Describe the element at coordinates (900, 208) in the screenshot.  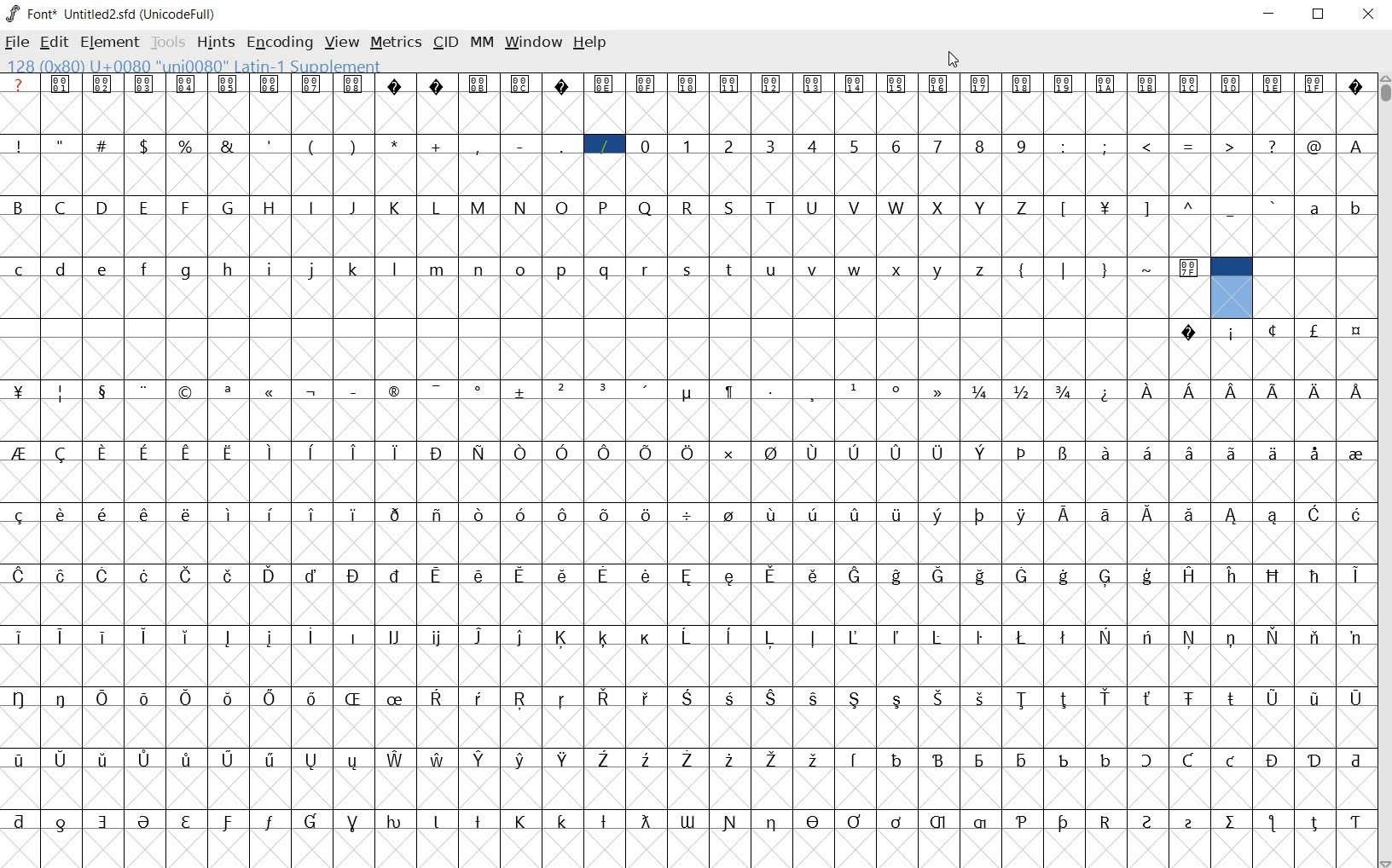
I see `W` at that location.